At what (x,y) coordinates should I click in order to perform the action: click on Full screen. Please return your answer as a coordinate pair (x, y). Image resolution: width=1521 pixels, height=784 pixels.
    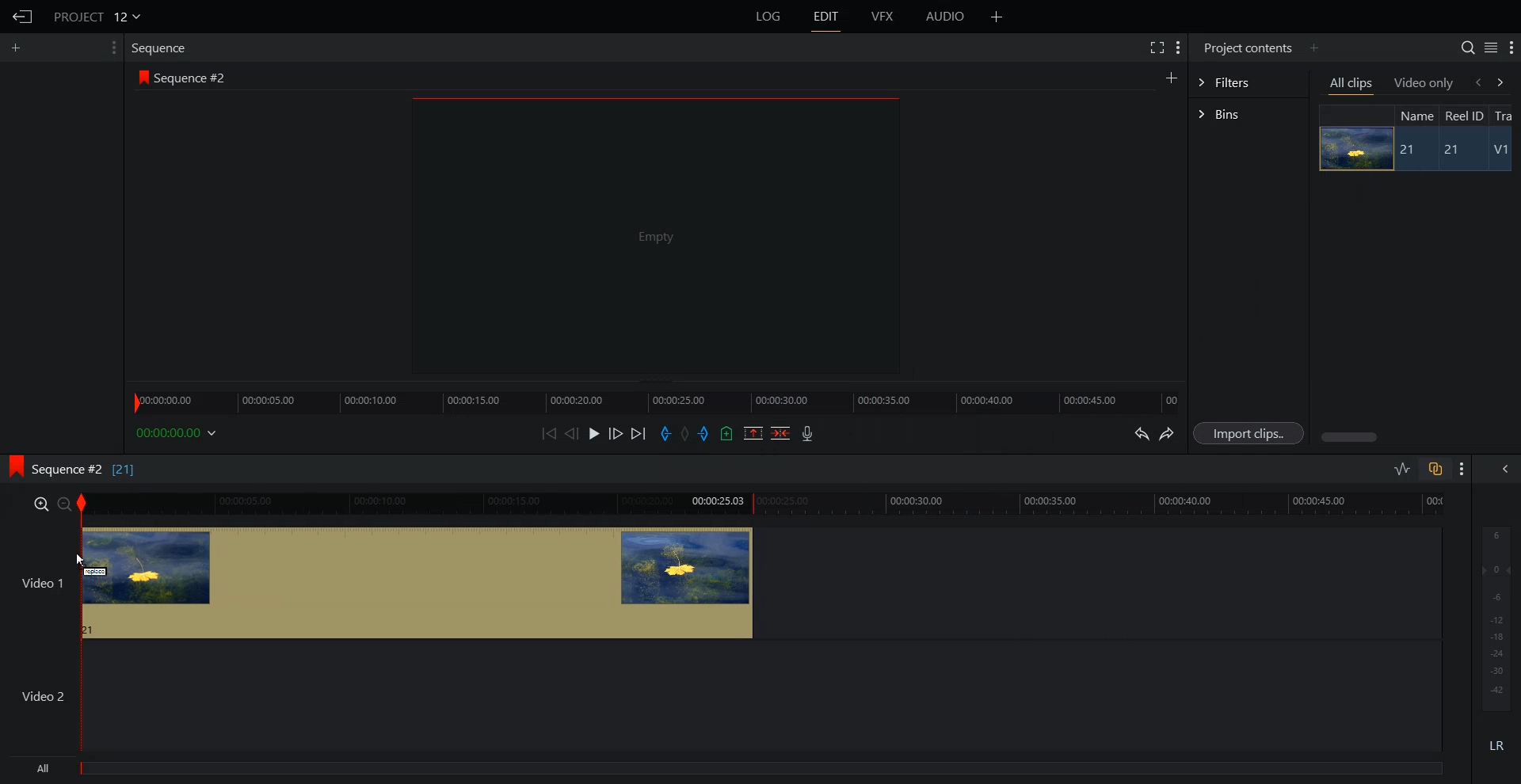
    Looking at the image, I should click on (1156, 46).